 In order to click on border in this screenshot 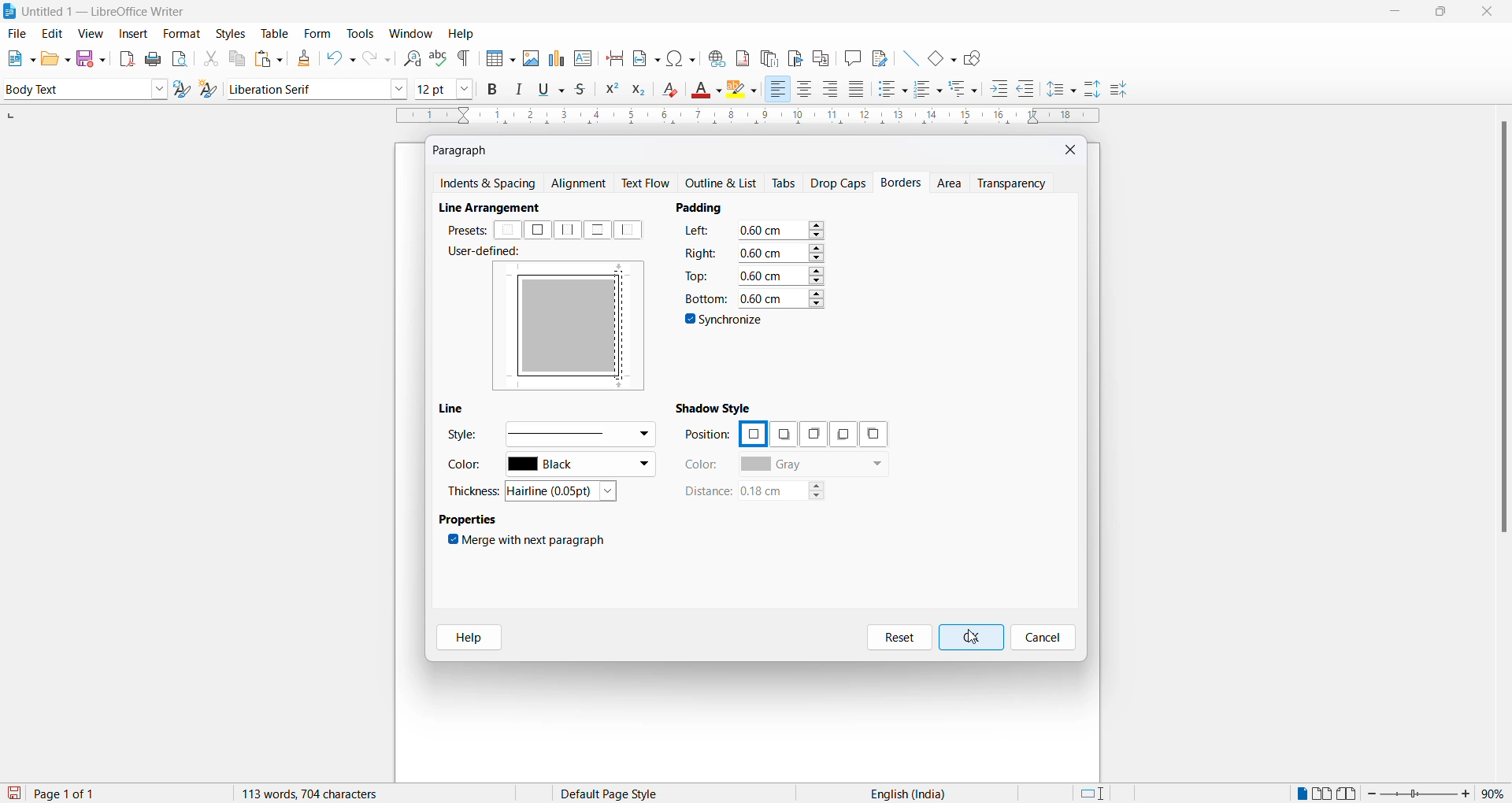, I will do `click(521, 326)`.